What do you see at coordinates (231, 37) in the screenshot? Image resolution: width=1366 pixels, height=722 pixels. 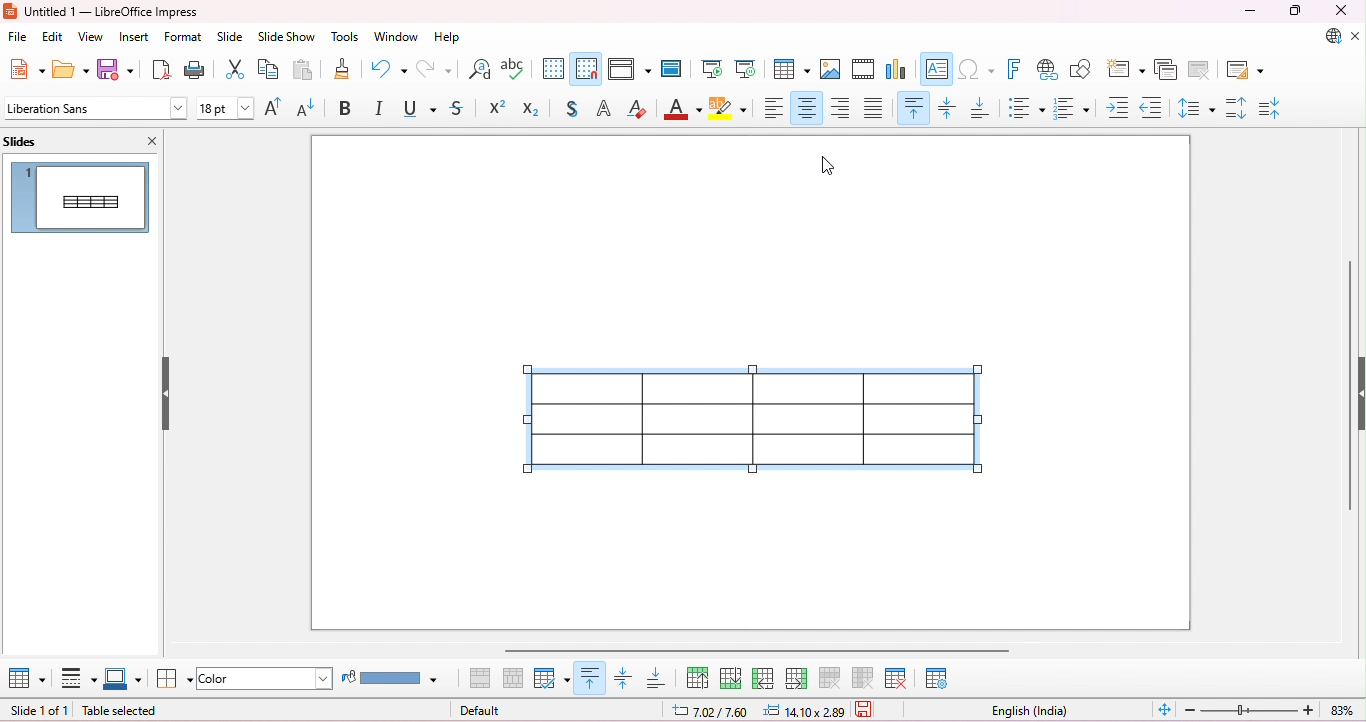 I see `slide` at bounding box center [231, 37].